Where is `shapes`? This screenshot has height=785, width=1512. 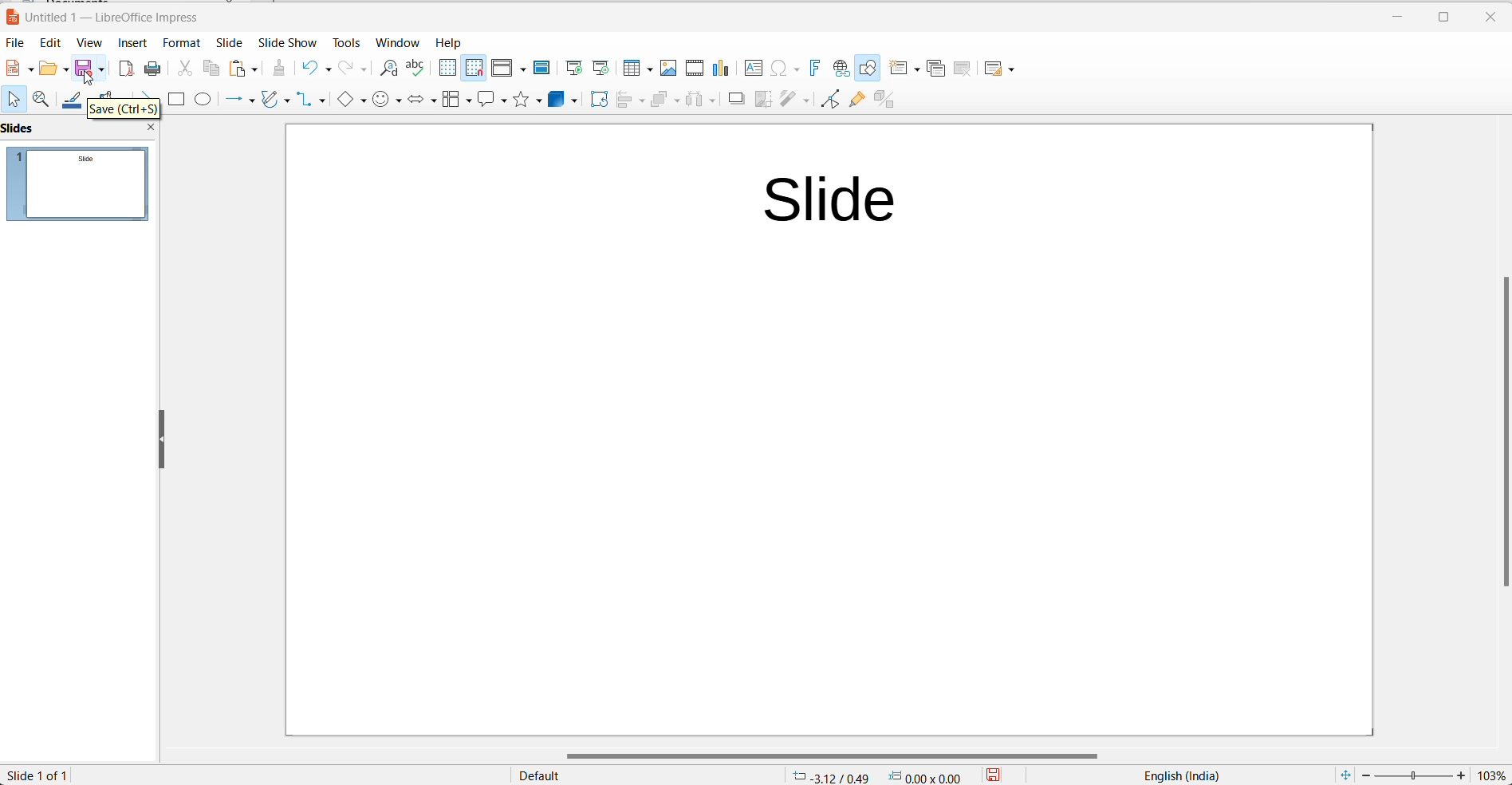 shapes is located at coordinates (529, 103).